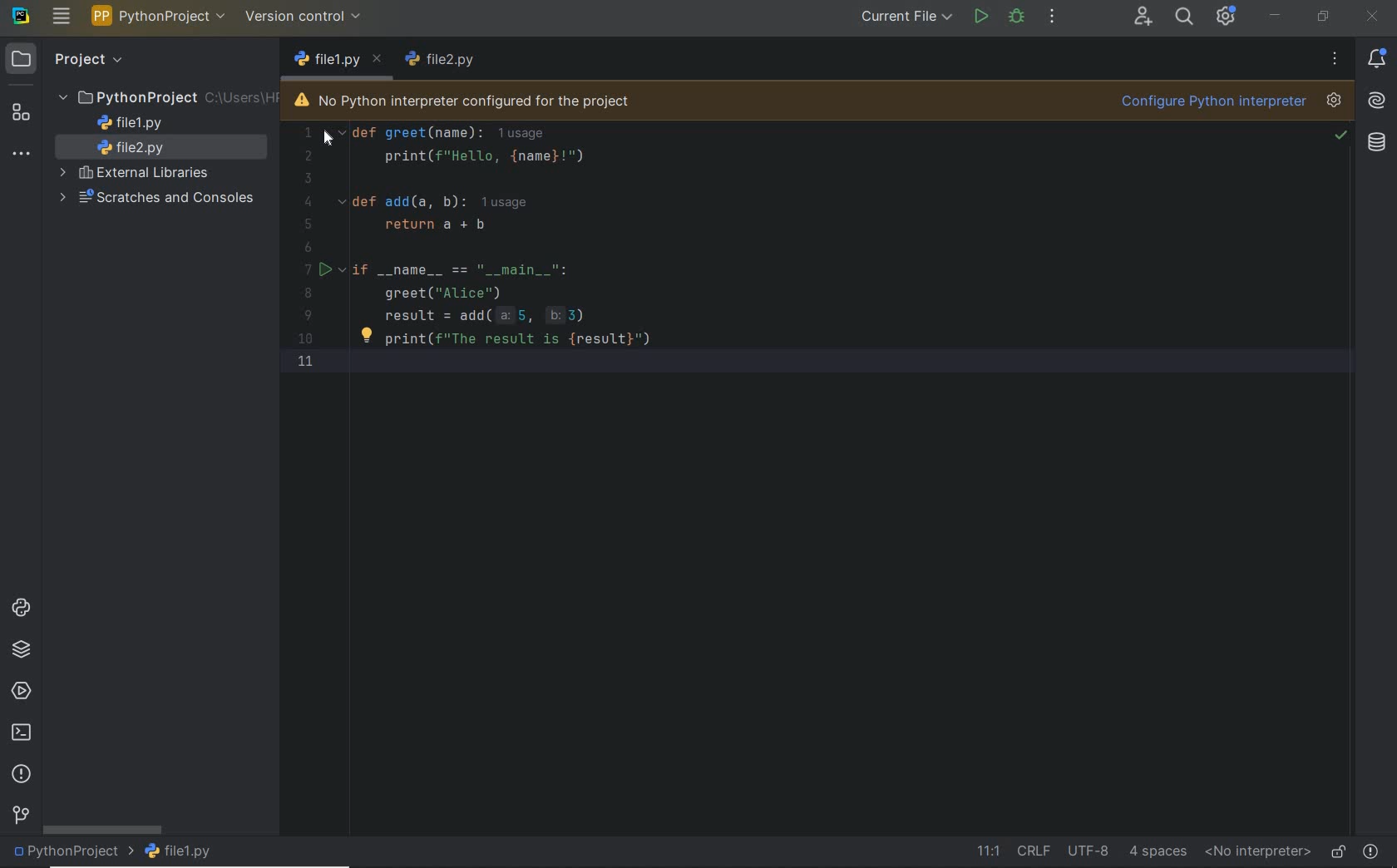 The width and height of the screenshot is (1397, 868). Describe the element at coordinates (23, 651) in the screenshot. I see `python packages` at that location.